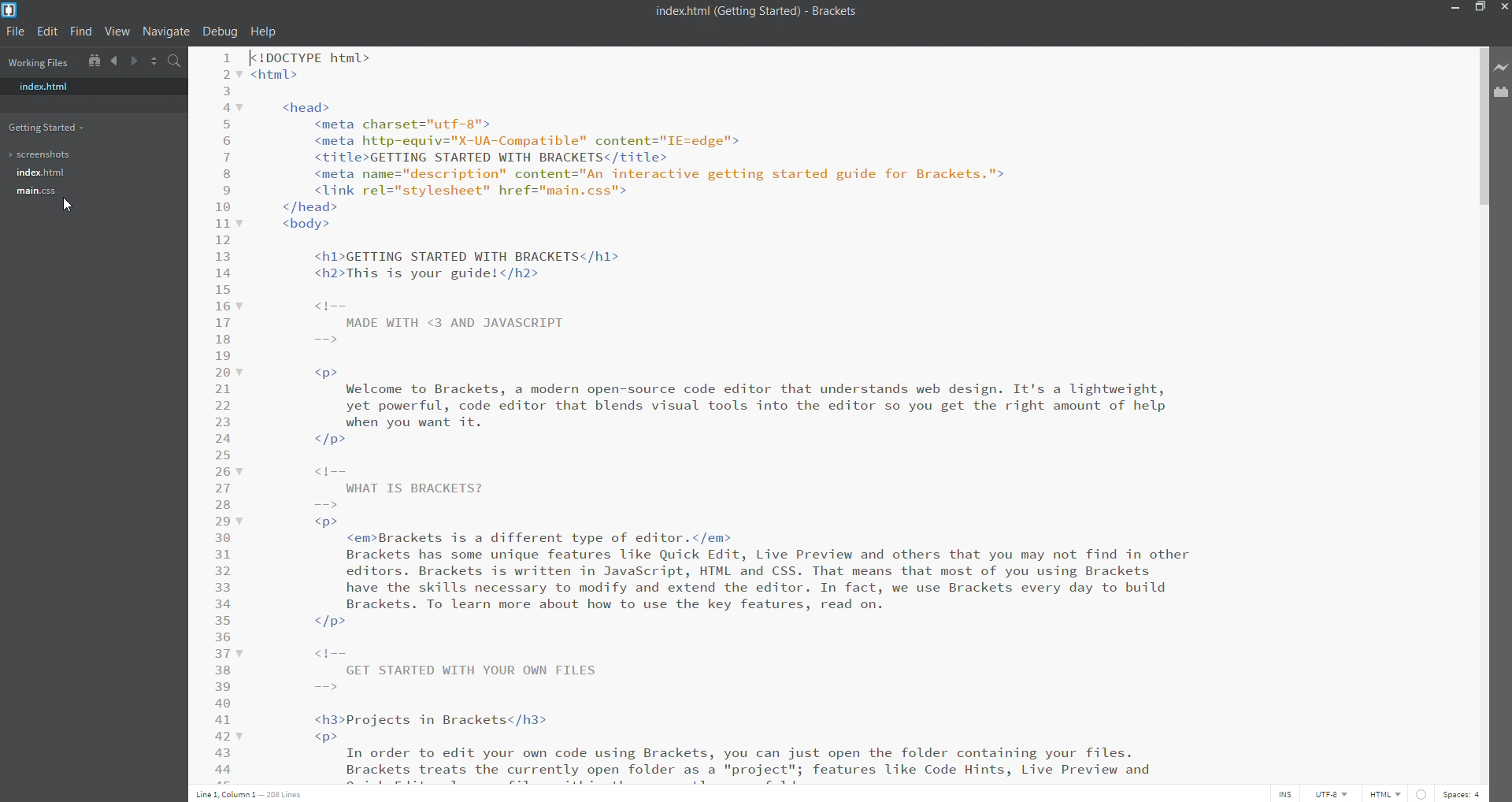  Describe the element at coordinates (858, 414) in the screenshot. I see `[<!DOCTYPE html>
<html>
<head>
<meta charset="utf-8">
<meta http-equiv="X-UA-Compatible" content="IE=edge">
<title>GETTING STARTED WITH BRACKETS</title>
<meta name="description" content="An interactive getting started guide for Brackets.">
<link rel="stylesheet" href="main.css">
</head>
<body>
<h1>GETTING STARTED WITH BRACKETS</h1>
<h2>This is your guide!</h2>
<t--
MADE WITH <3 AND JAVASCRIPT
==
<>
Welcome to Brackets, a modern open-source code editor that understands web design. It's a lightweight,
yet powerful, code editor that blends visual tools into the editor so you get the right amount of help
when you want it.
</p>
<t--
WHAT IS BRACKETS?
—
<p>
<em>Brackets is a different type of editor.</em>
Brackets has some unique features like Quick Edit, Live Preview and others that you may not find in other
editors. Brackets is written in JavaScript, HTML and CSS. That means that most of you using Brackets
have the skills necessary to modify and extend the editor. In fact, we use Brackets every day to build
Brackets. To learn more about how to use the key features, read on
</p>
<1--
GET STARTED WITH YOUR OWN FILES
—
<h3>Projects in Brackets</h3>
<>
In order to edit your own code using Brackets, you can just open the folder containing your files` at that location.